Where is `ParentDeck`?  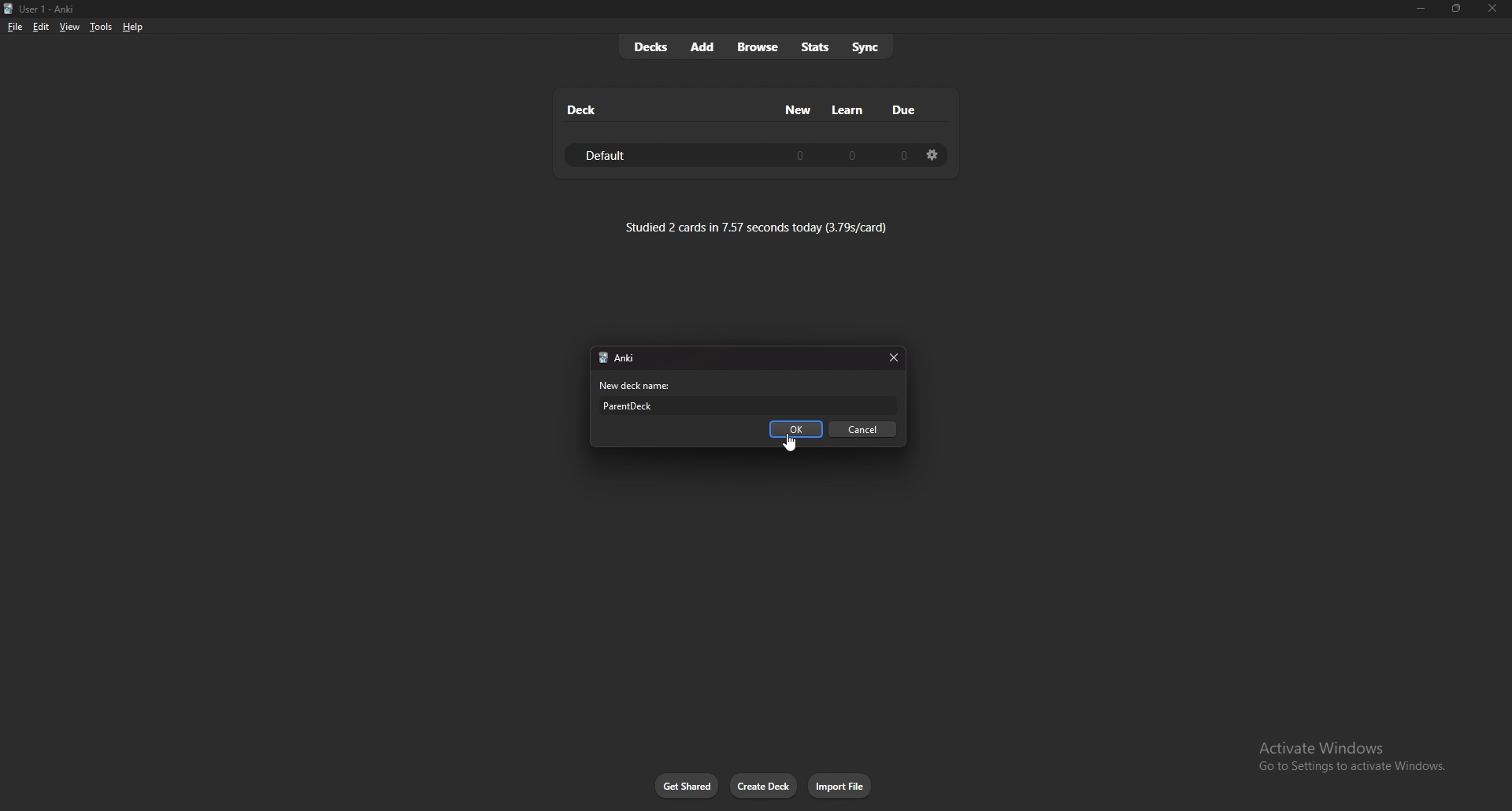 ParentDeck is located at coordinates (750, 405).